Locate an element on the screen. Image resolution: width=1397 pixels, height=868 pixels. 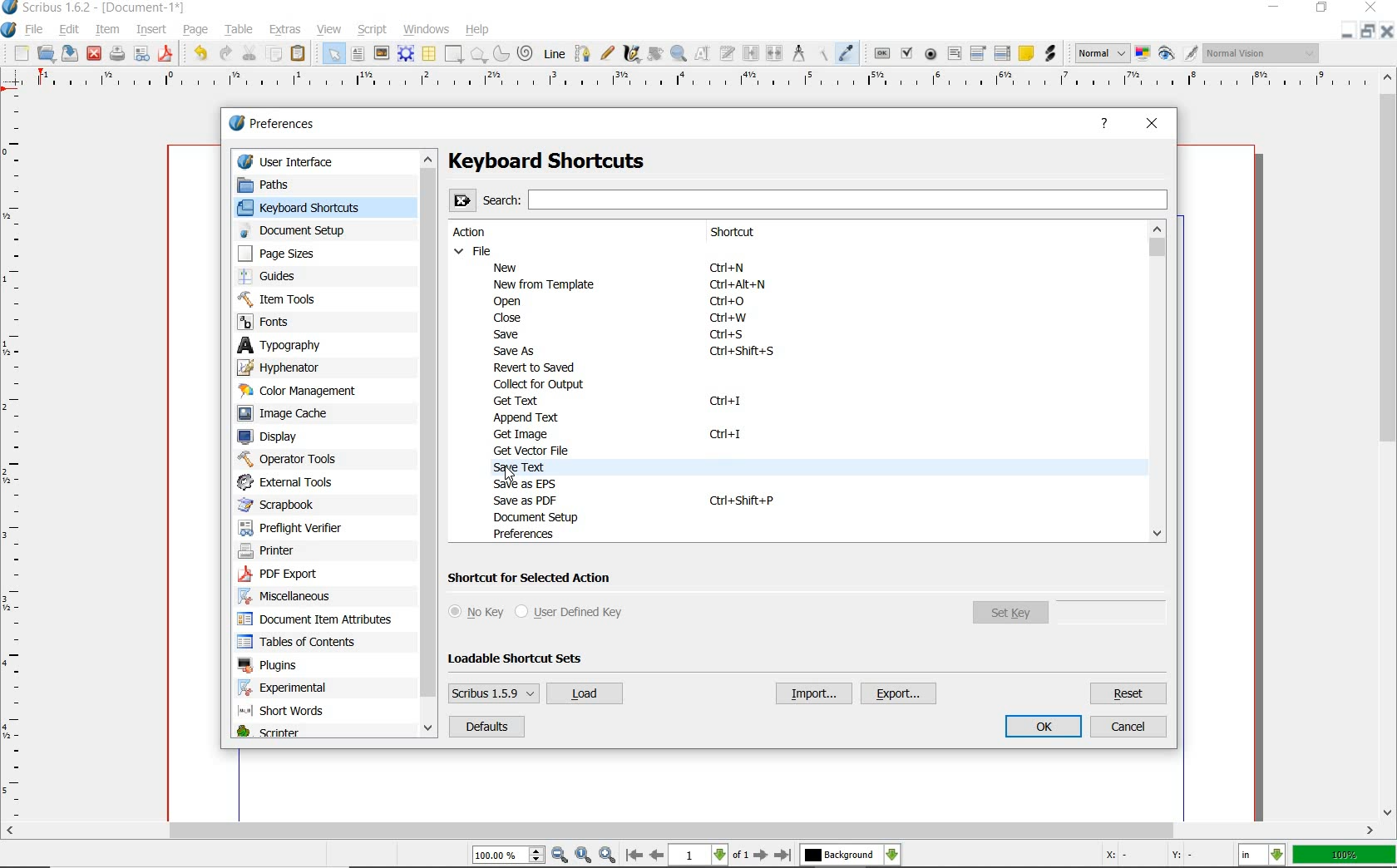
table is located at coordinates (241, 28).